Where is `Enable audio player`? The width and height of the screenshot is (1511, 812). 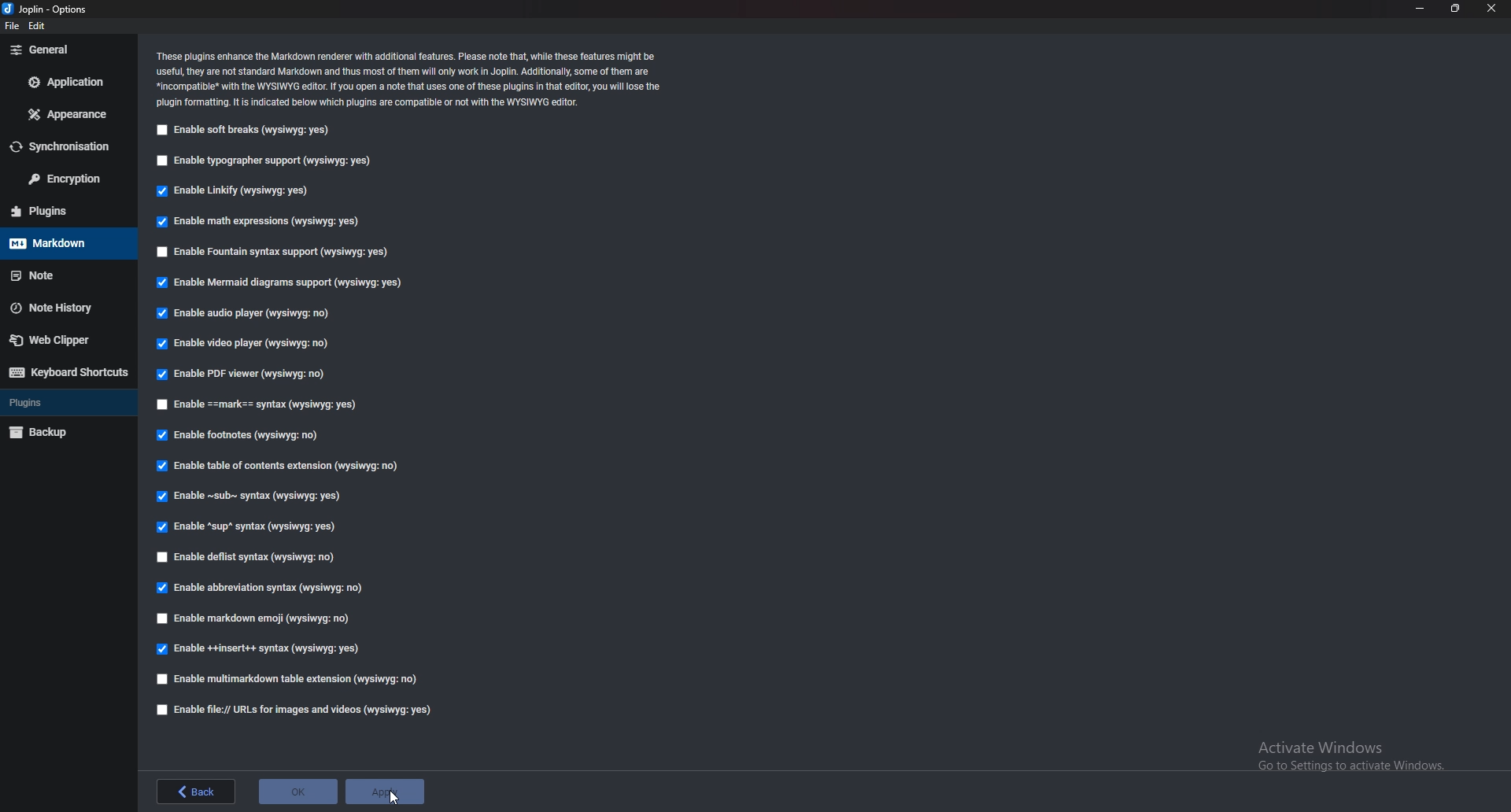
Enable audio player is located at coordinates (249, 312).